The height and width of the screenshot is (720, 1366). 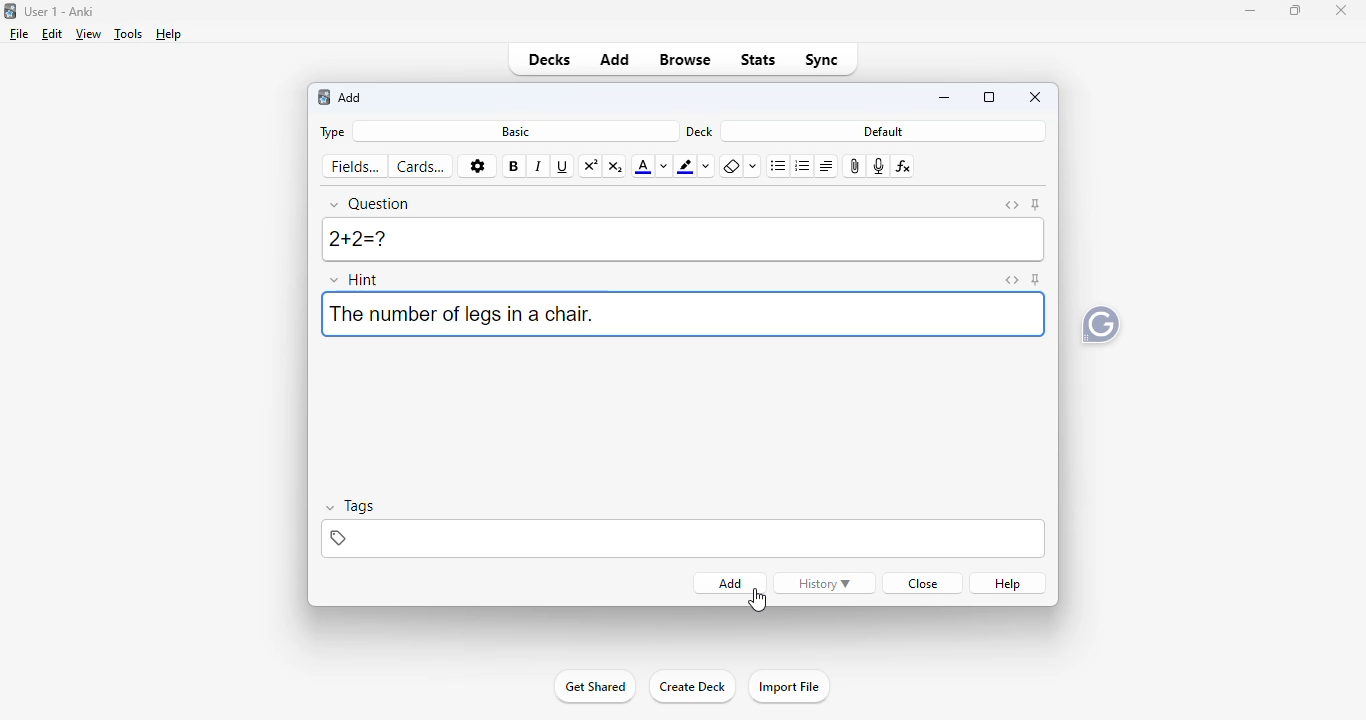 I want to click on stats, so click(x=757, y=60).